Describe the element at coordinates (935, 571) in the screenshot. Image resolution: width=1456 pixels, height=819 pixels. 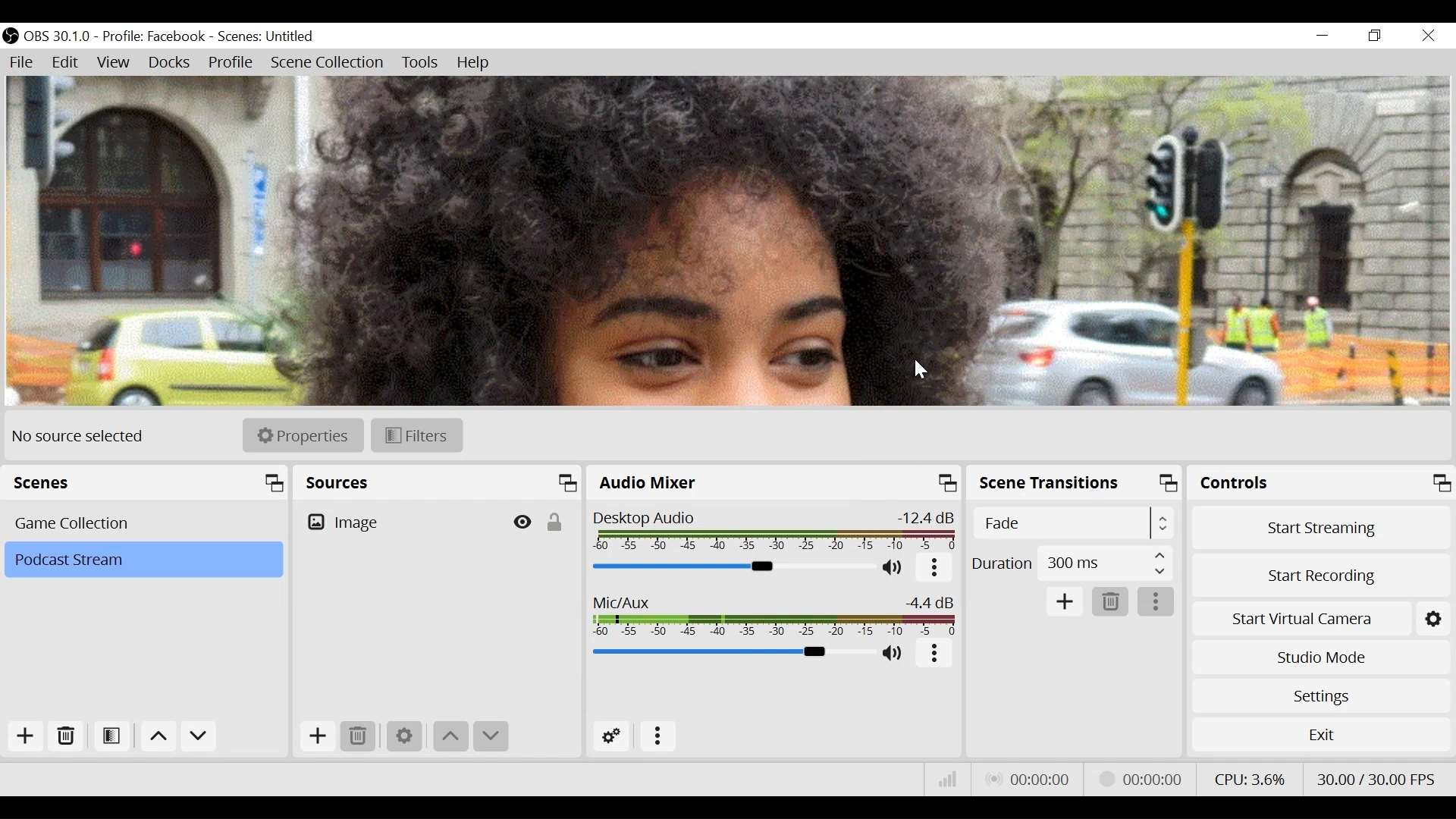
I see `More options` at that location.